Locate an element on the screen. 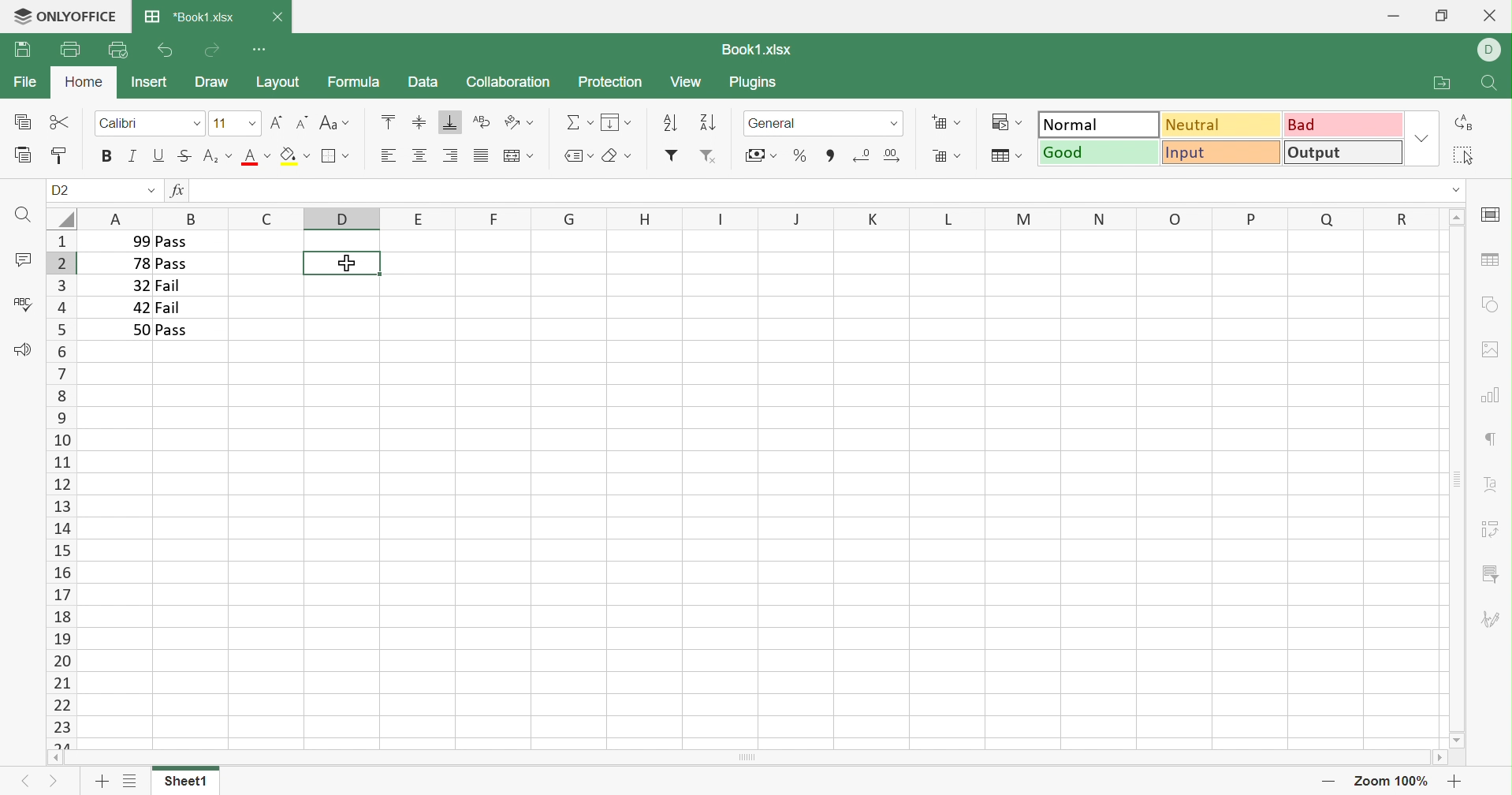 Image resolution: width=1512 pixels, height=795 pixels. 32 is located at coordinates (138, 286).